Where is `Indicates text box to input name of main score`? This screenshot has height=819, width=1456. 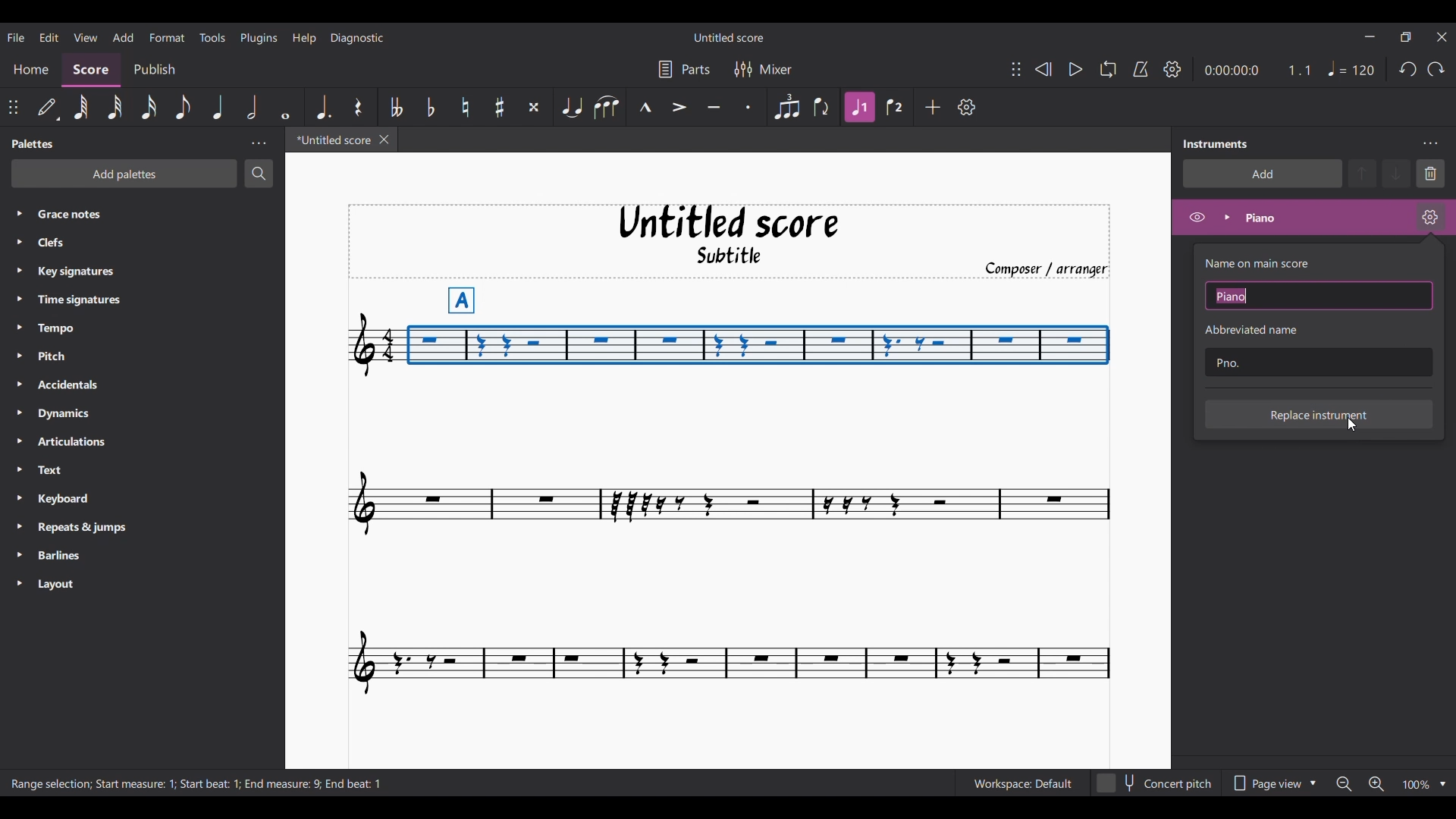 Indicates text box to input name of main score is located at coordinates (1258, 264).